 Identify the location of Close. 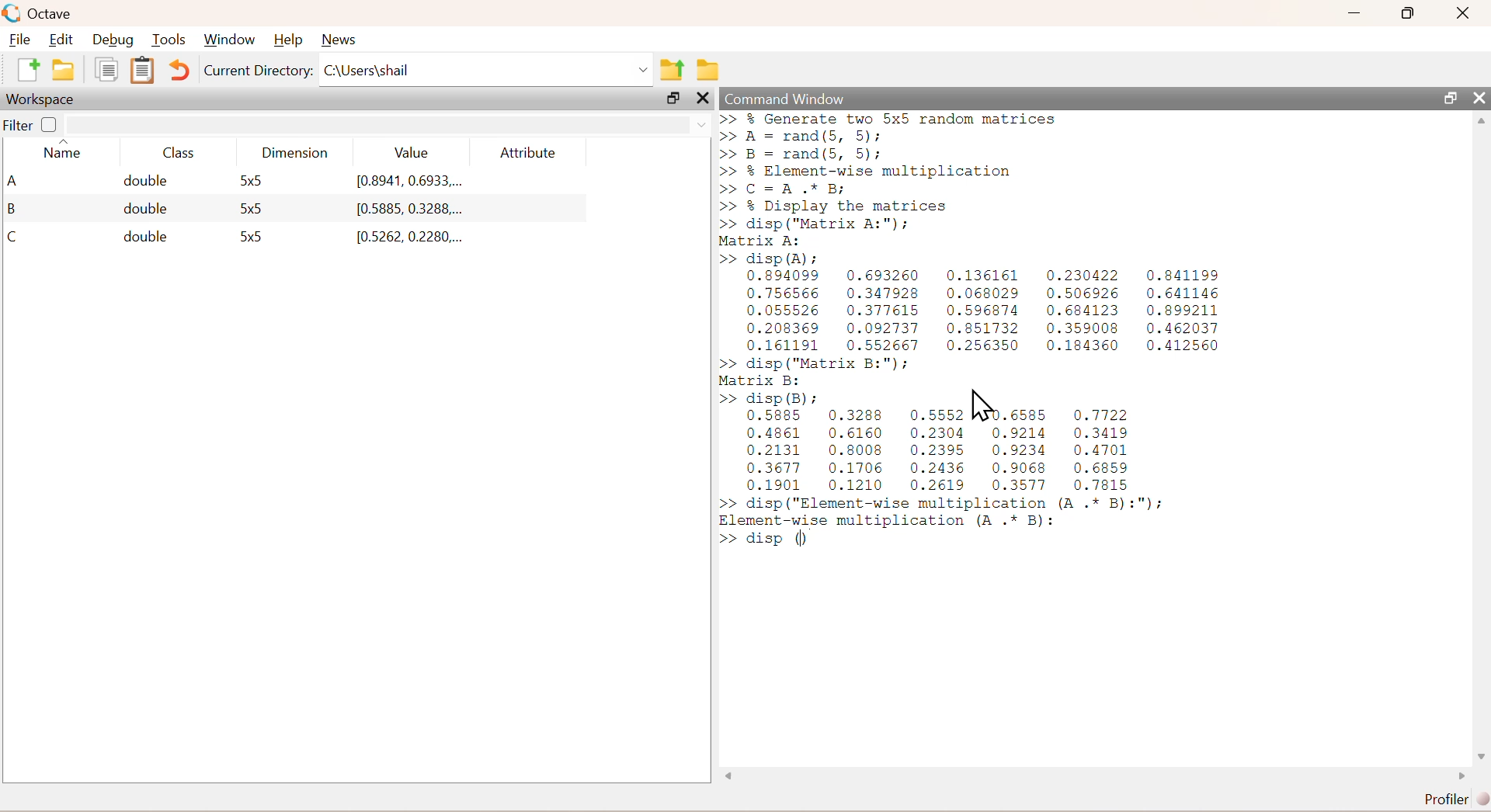
(703, 102).